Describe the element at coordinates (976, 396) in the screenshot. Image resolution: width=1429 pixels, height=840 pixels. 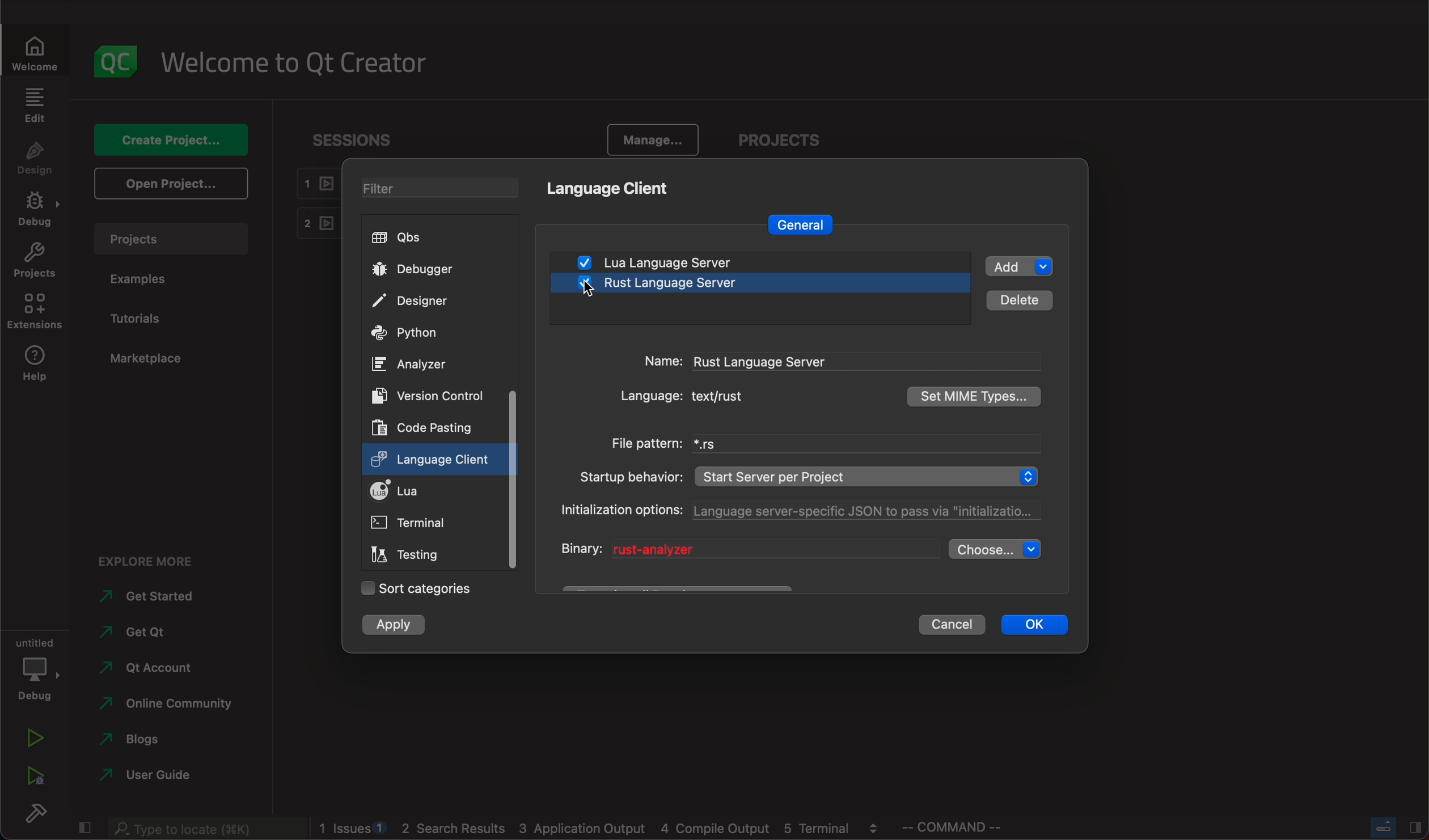
I see `types` at that location.